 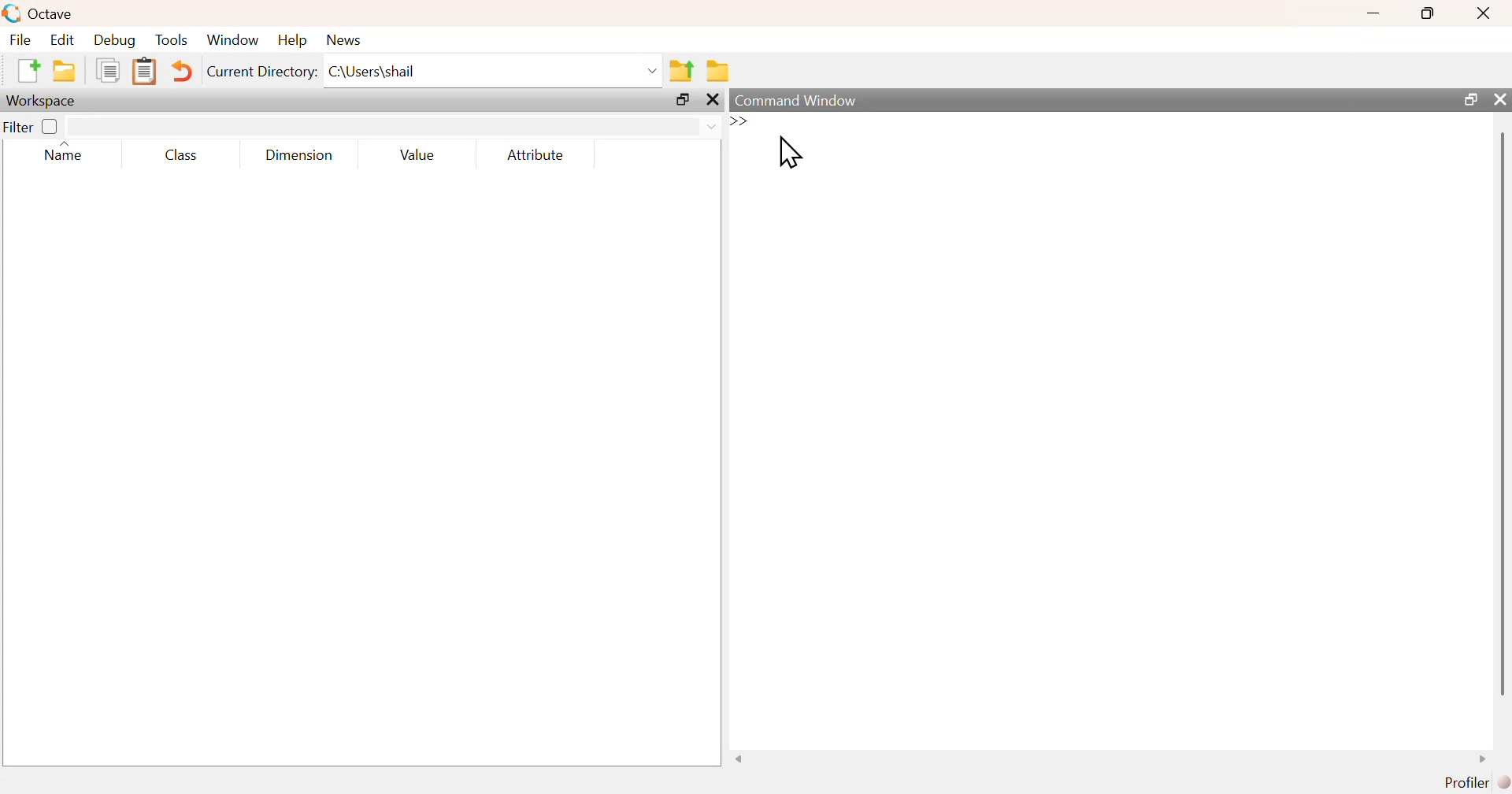 What do you see at coordinates (115, 39) in the screenshot?
I see `Debug` at bounding box center [115, 39].